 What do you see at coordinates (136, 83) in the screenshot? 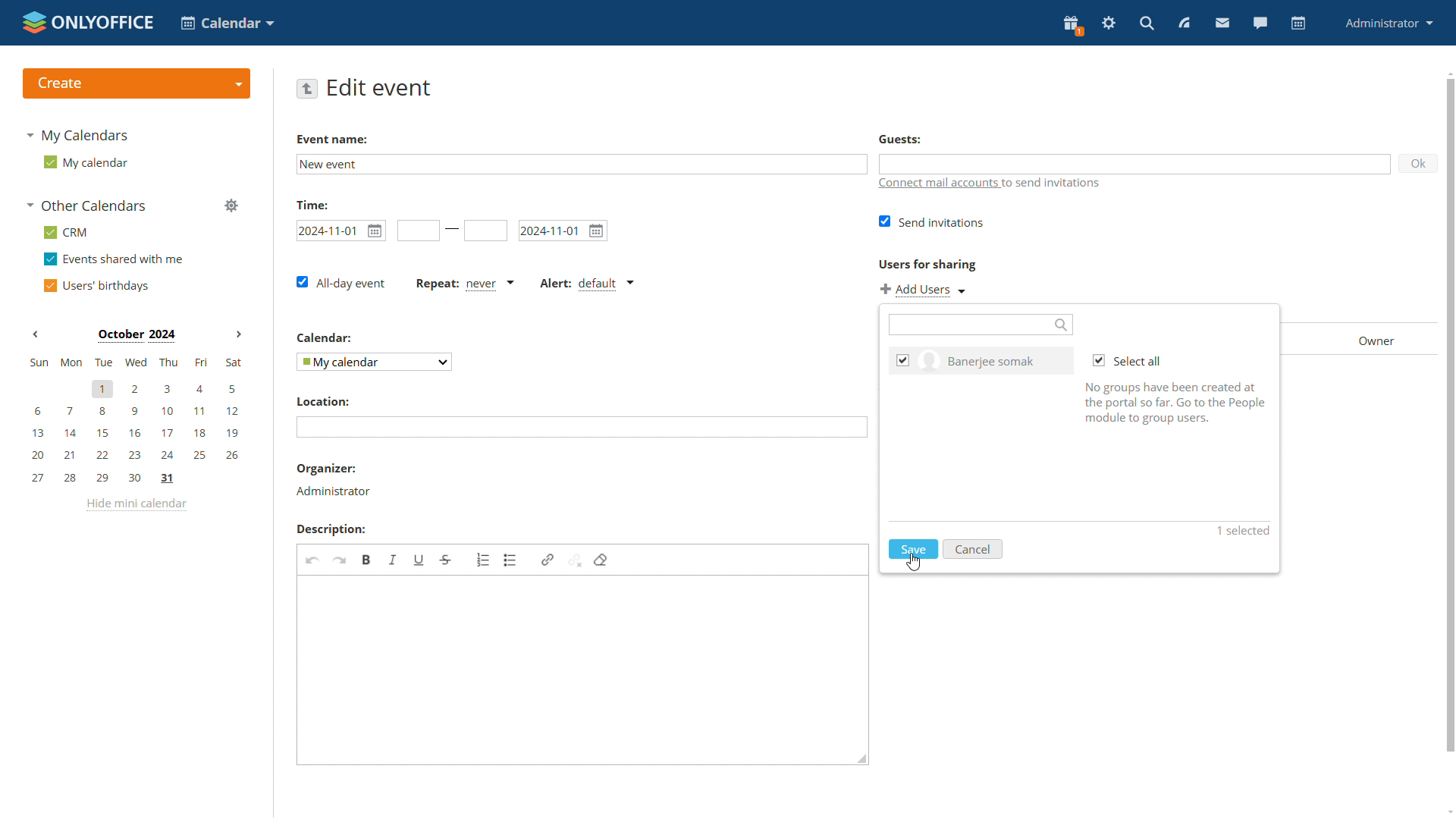
I see `create` at bounding box center [136, 83].